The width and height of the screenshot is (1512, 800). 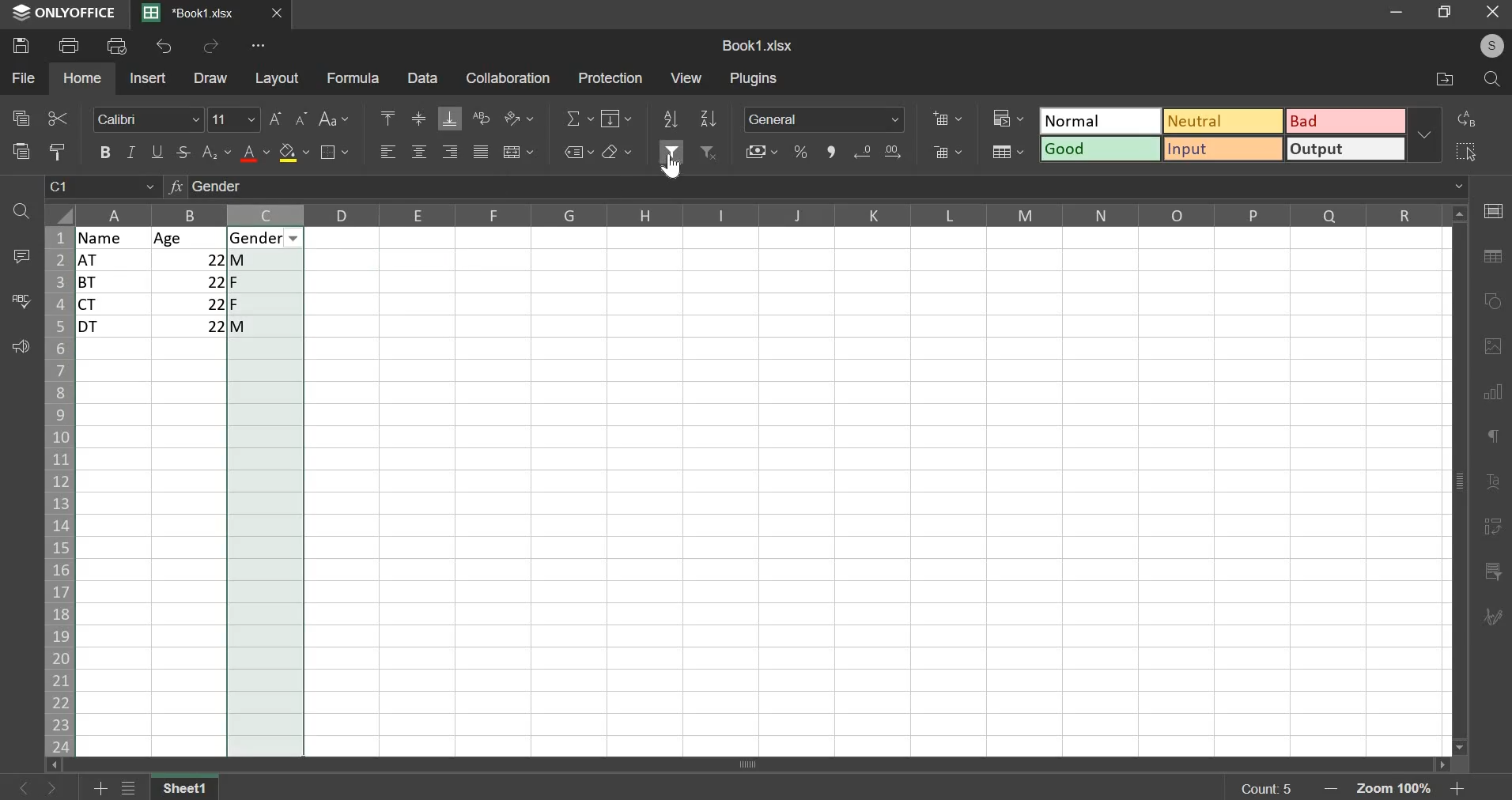 What do you see at coordinates (212, 78) in the screenshot?
I see `draw` at bounding box center [212, 78].